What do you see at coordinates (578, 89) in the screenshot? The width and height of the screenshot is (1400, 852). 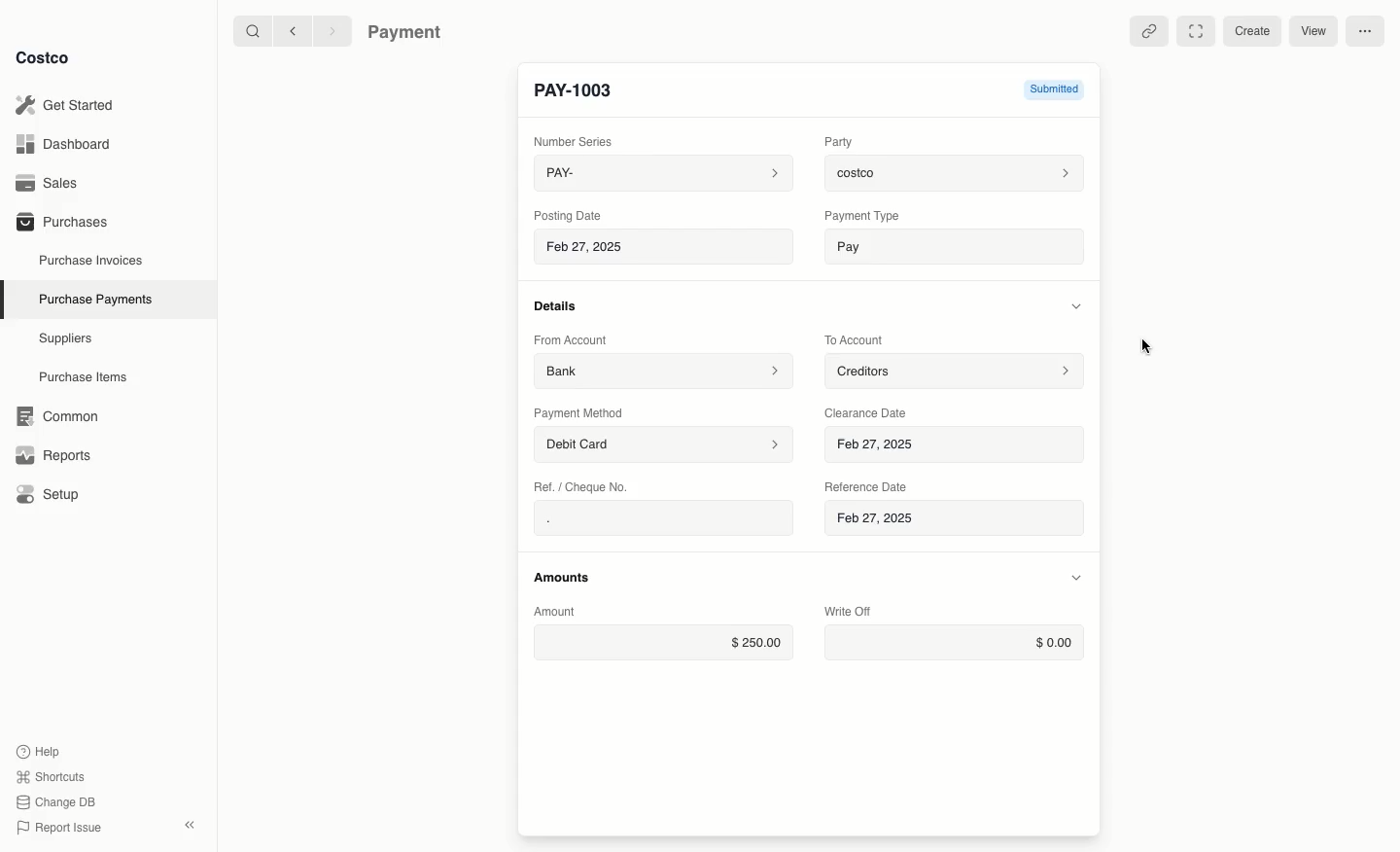 I see `New Entry` at bounding box center [578, 89].